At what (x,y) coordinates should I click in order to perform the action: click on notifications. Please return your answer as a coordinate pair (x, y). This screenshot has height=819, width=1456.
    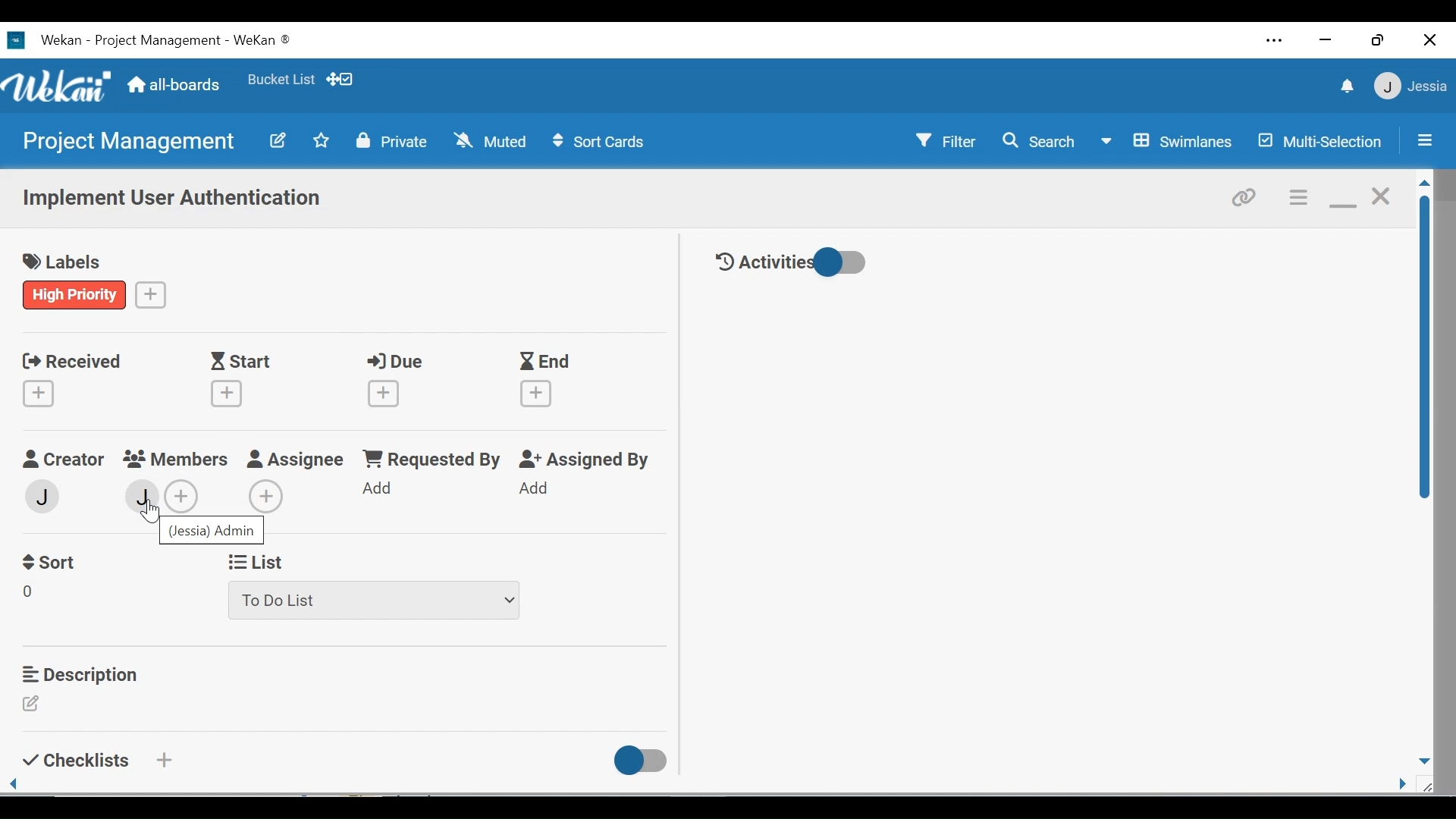
    Looking at the image, I should click on (1344, 88).